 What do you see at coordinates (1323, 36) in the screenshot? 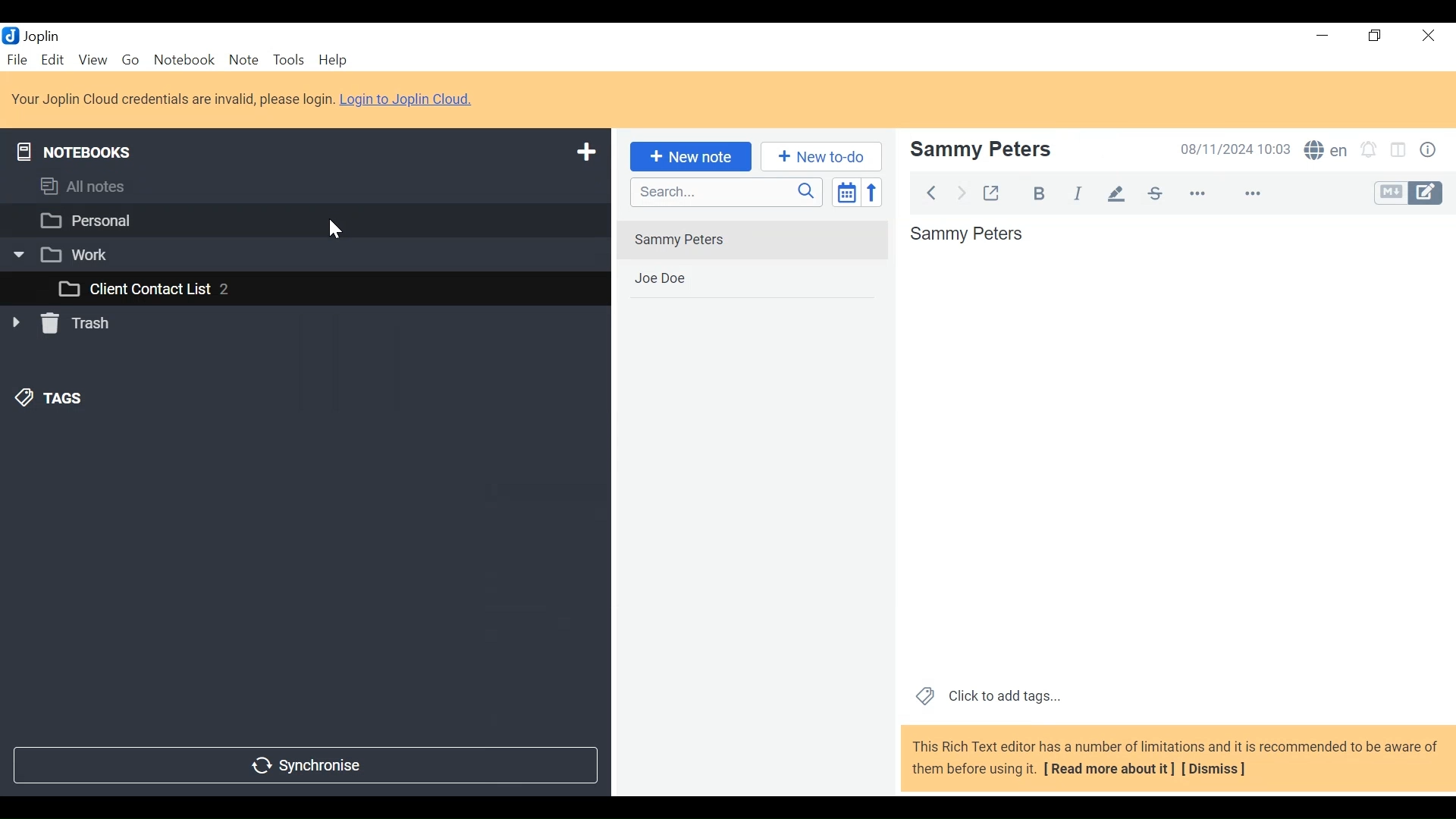
I see `minimize` at bounding box center [1323, 36].